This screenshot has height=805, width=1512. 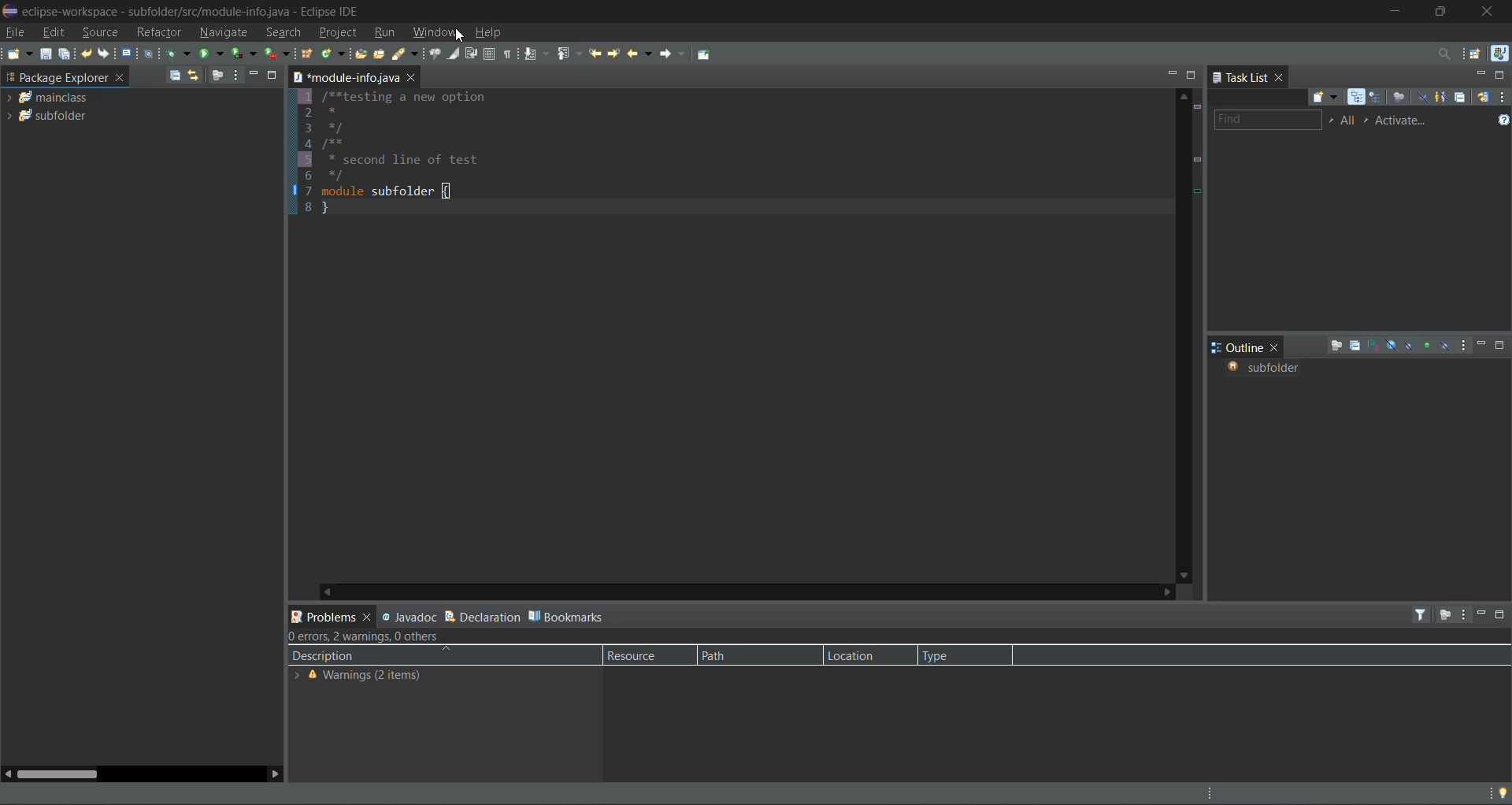 I want to click on open a terminal, so click(x=124, y=52).